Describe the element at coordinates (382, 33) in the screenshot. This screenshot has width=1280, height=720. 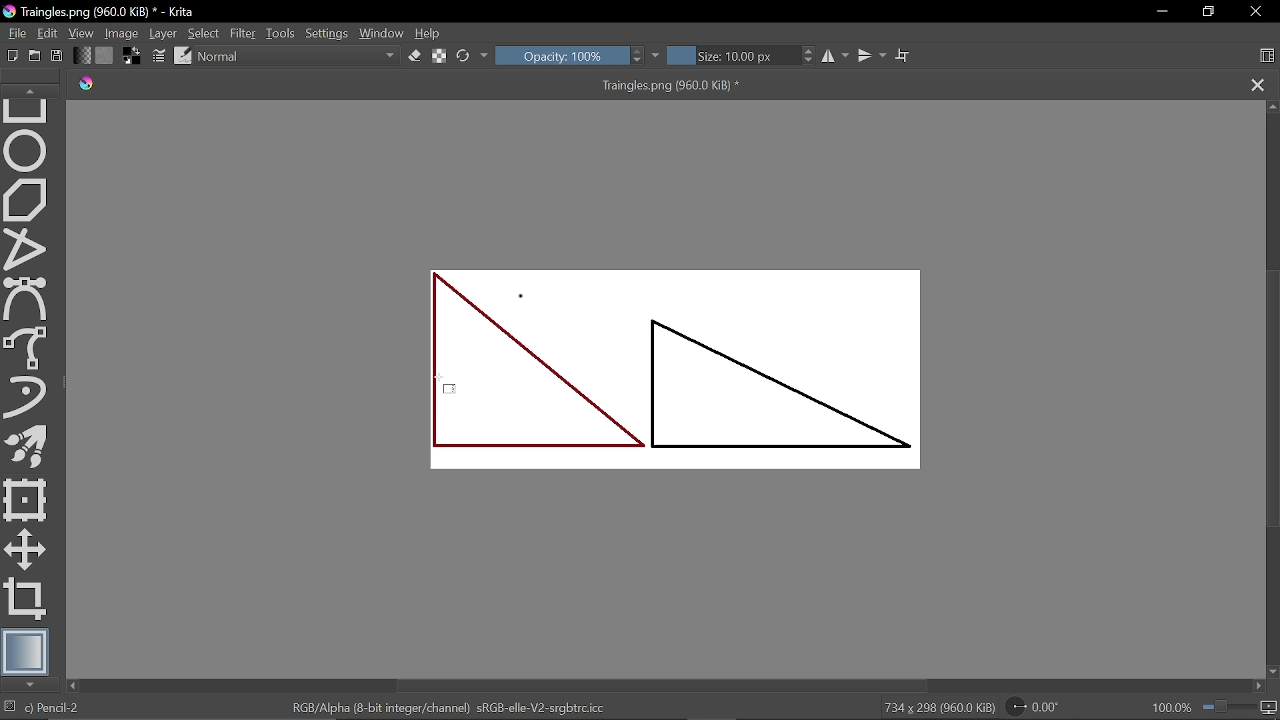
I see `Window` at that location.